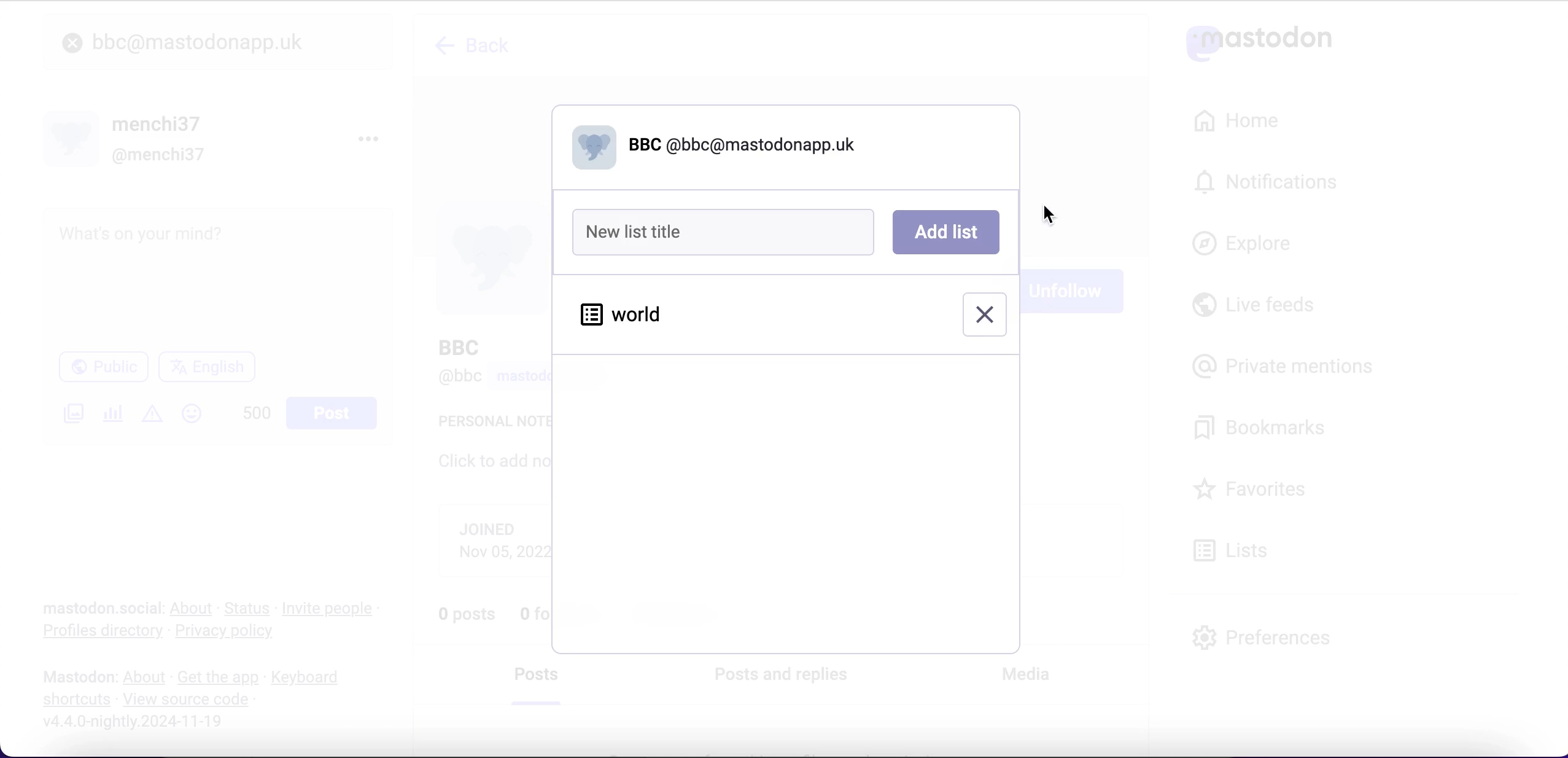 Image resolution: width=1568 pixels, height=758 pixels. Describe the element at coordinates (95, 633) in the screenshot. I see `profiles directory` at that location.